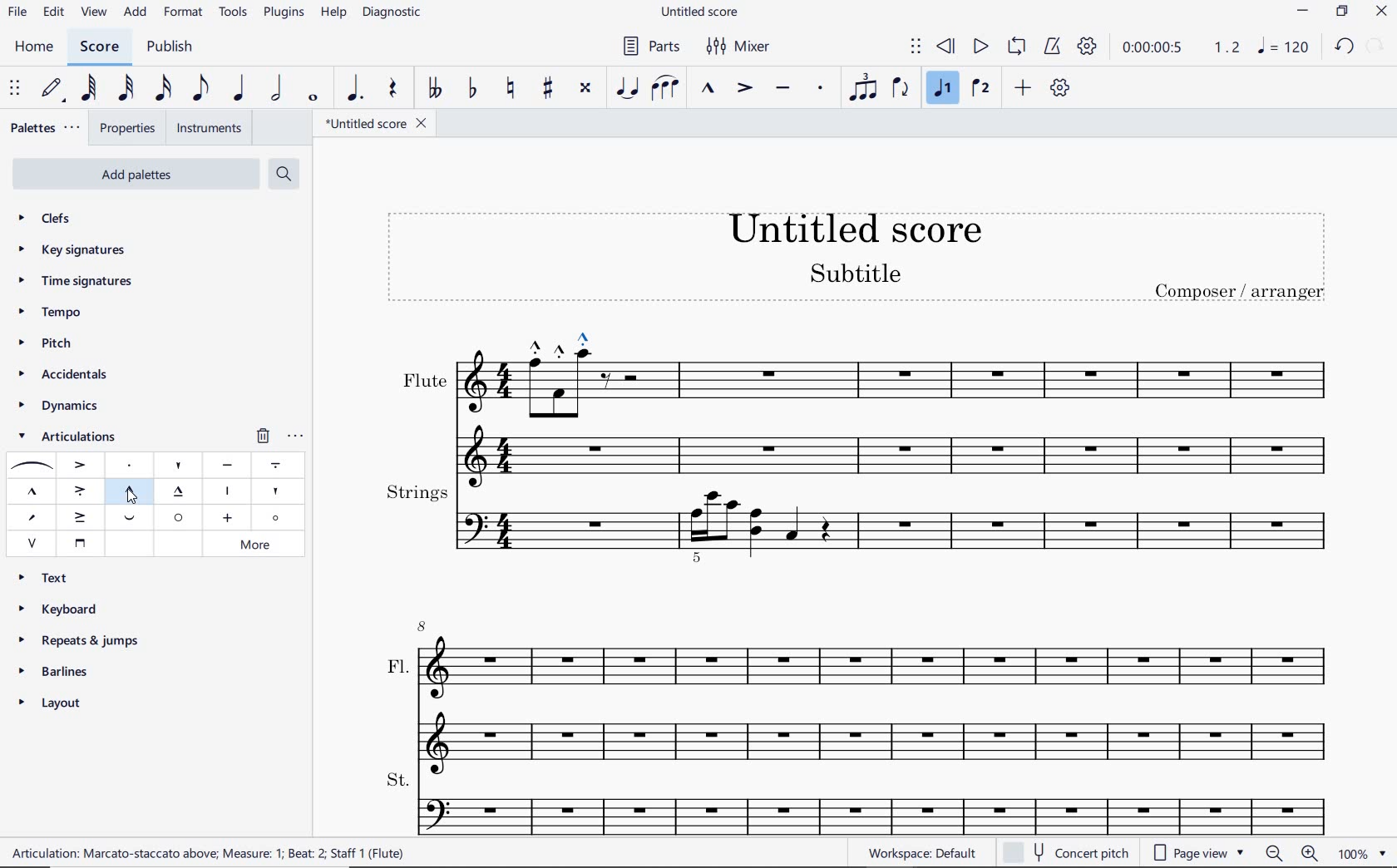 This screenshot has height=868, width=1397. Describe the element at coordinates (585, 88) in the screenshot. I see `TOGGLE DOUBLE-SHARP` at that location.